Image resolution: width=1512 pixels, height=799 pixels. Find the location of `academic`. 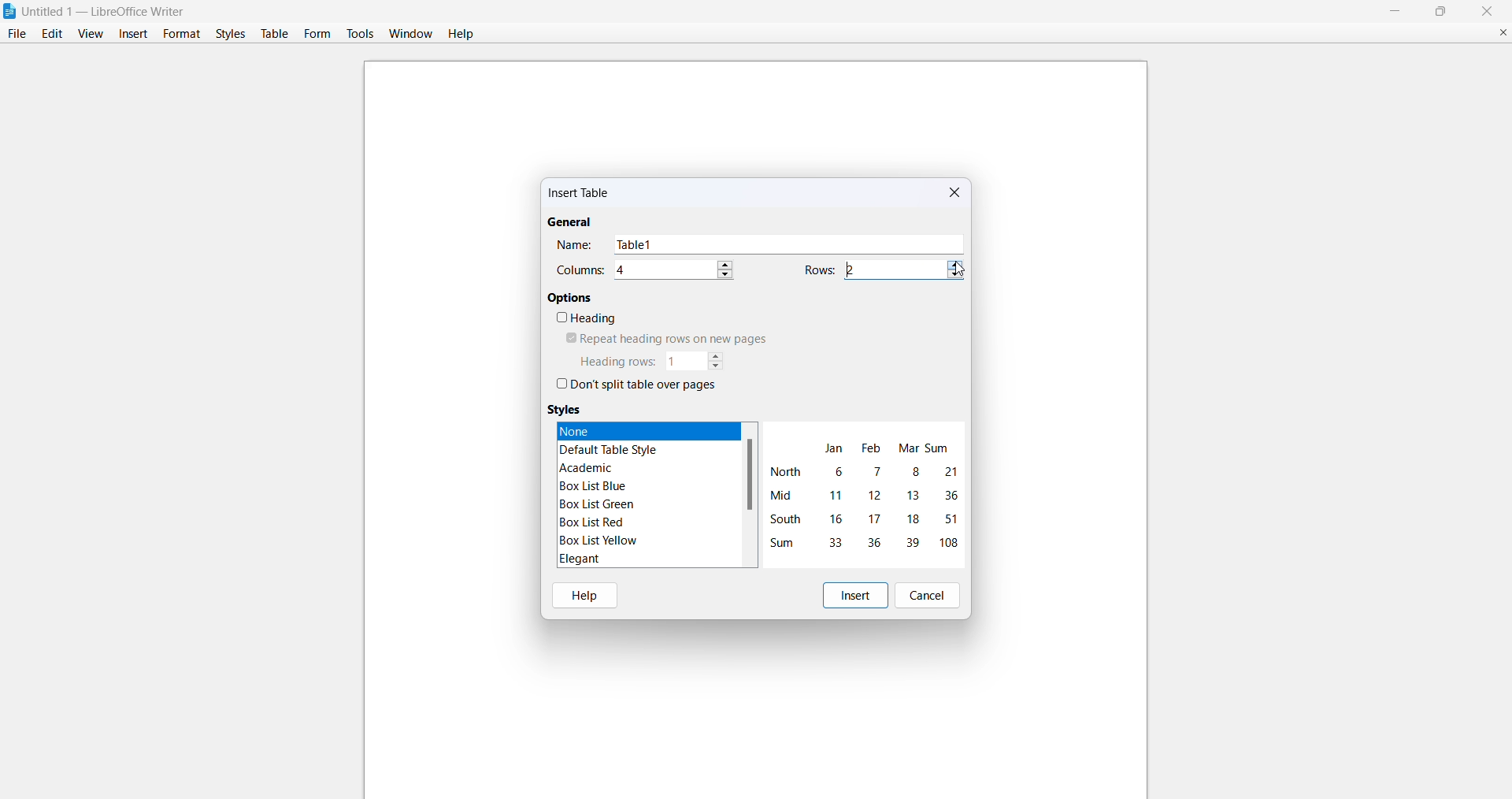

academic is located at coordinates (590, 467).